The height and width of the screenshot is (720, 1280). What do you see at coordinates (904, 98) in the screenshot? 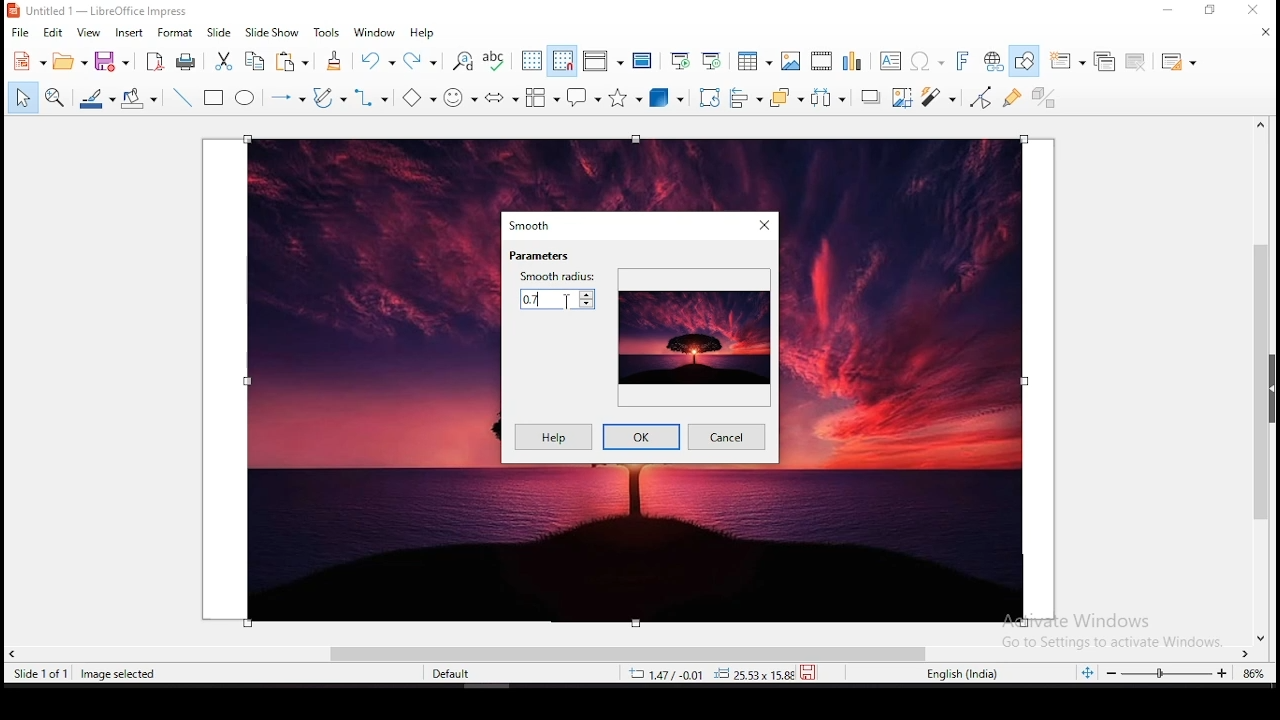
I see `crop image` at bounding box center [904, 98].